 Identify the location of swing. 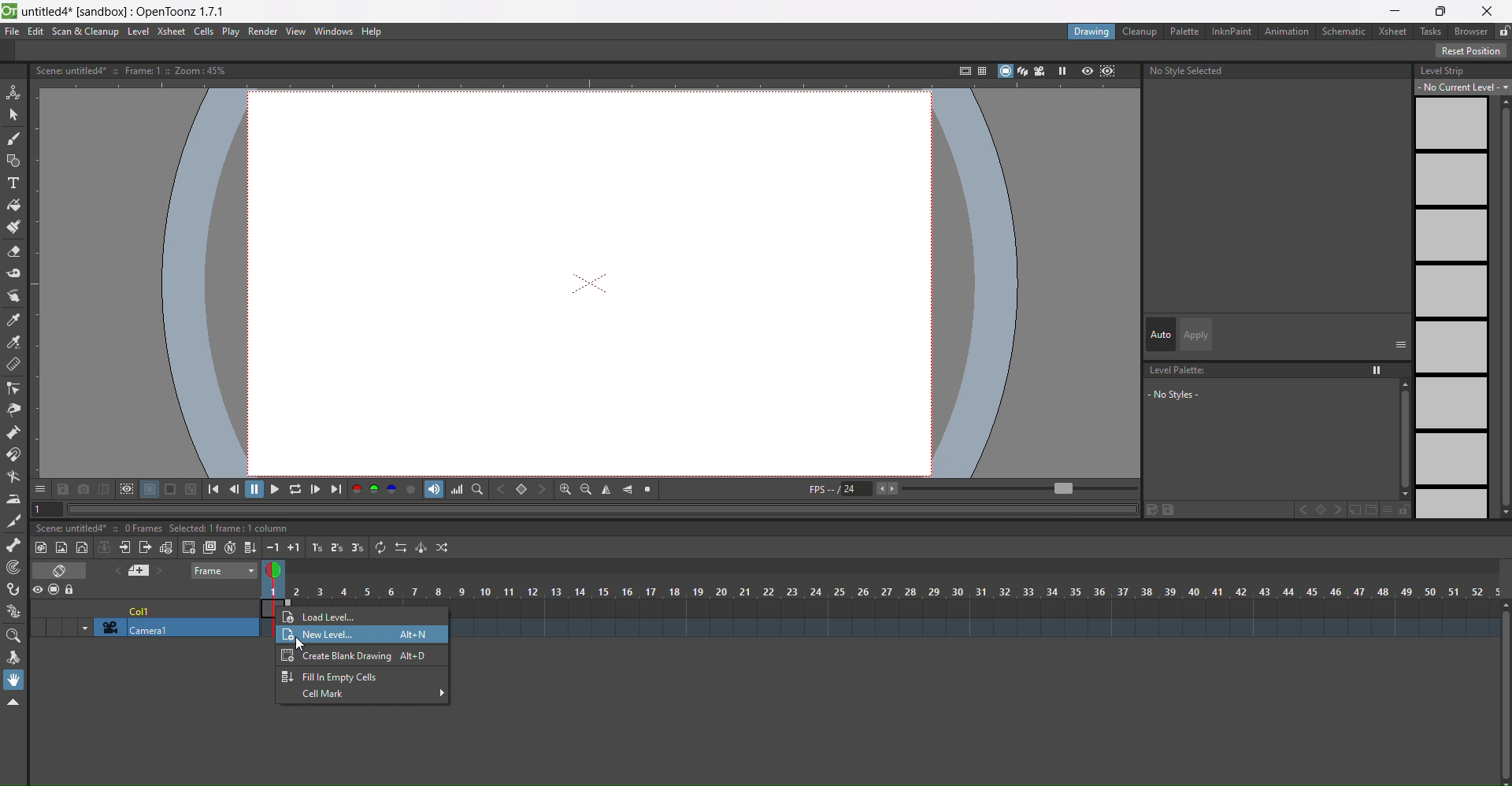
(421, 547).